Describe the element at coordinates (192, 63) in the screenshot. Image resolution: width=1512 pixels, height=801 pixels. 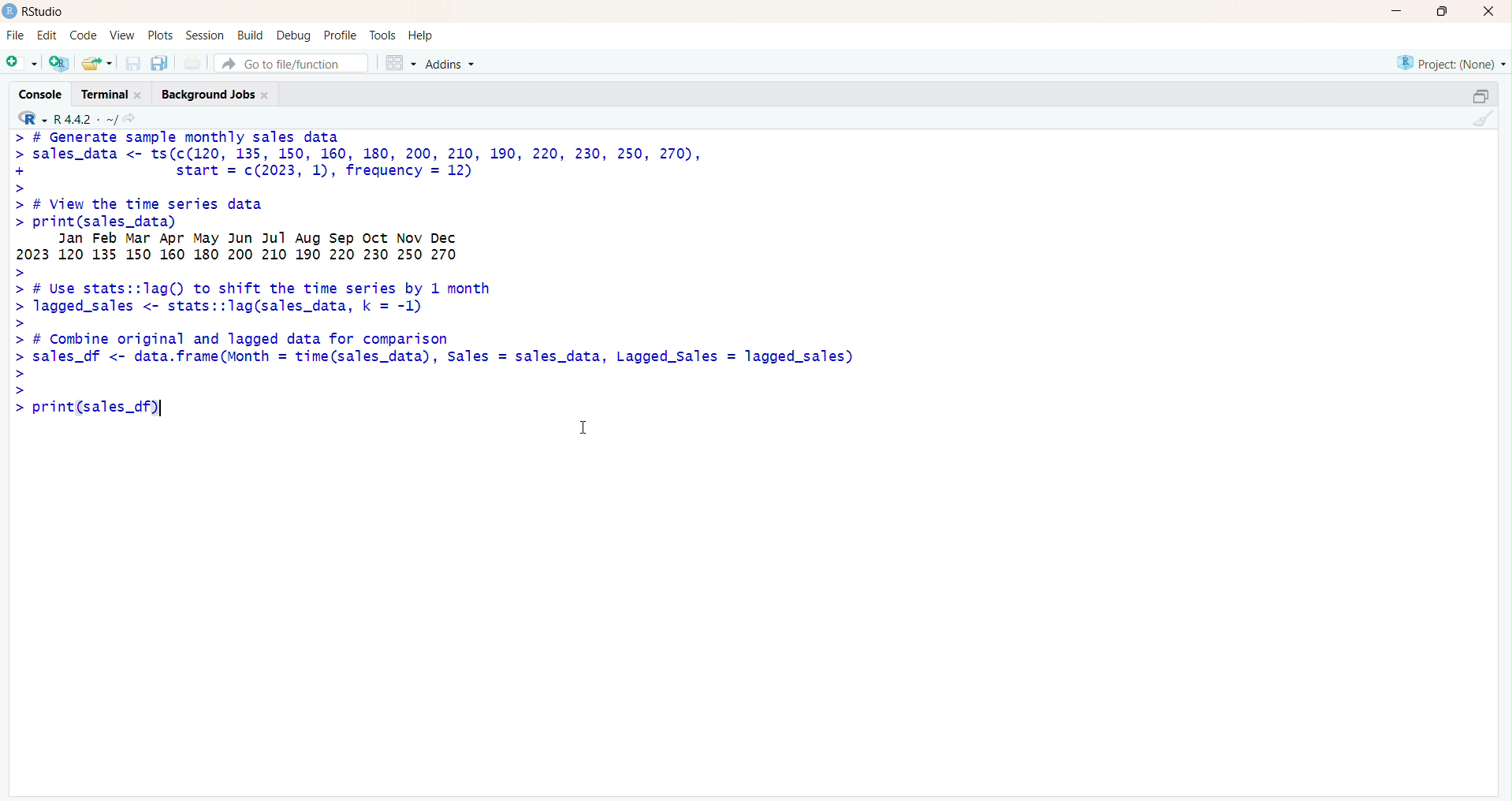
I see `print the current file` at that location.